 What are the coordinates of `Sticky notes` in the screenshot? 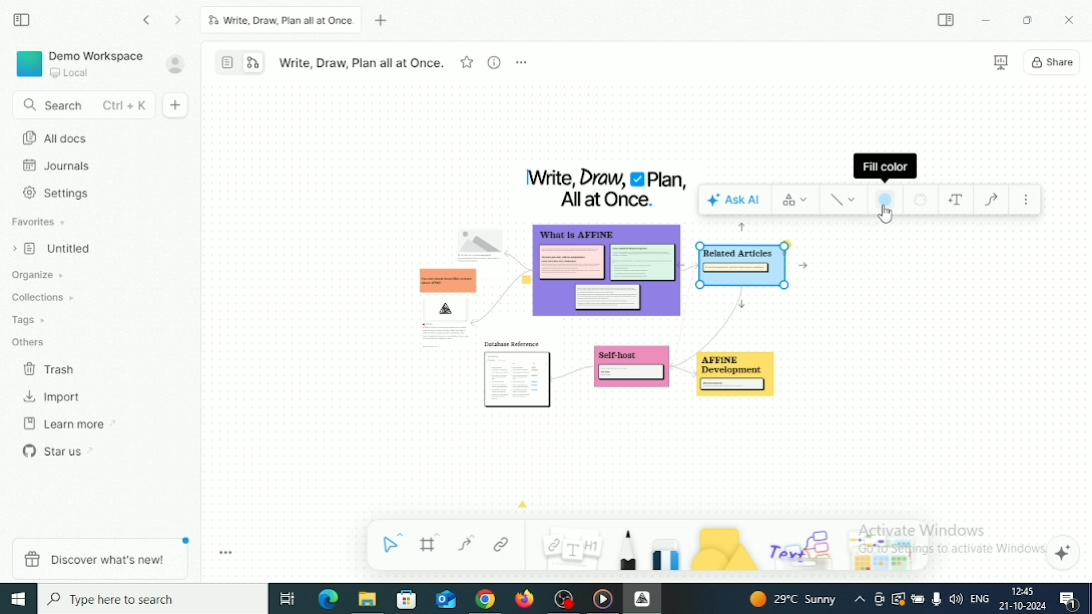 It's located at (632, 371).